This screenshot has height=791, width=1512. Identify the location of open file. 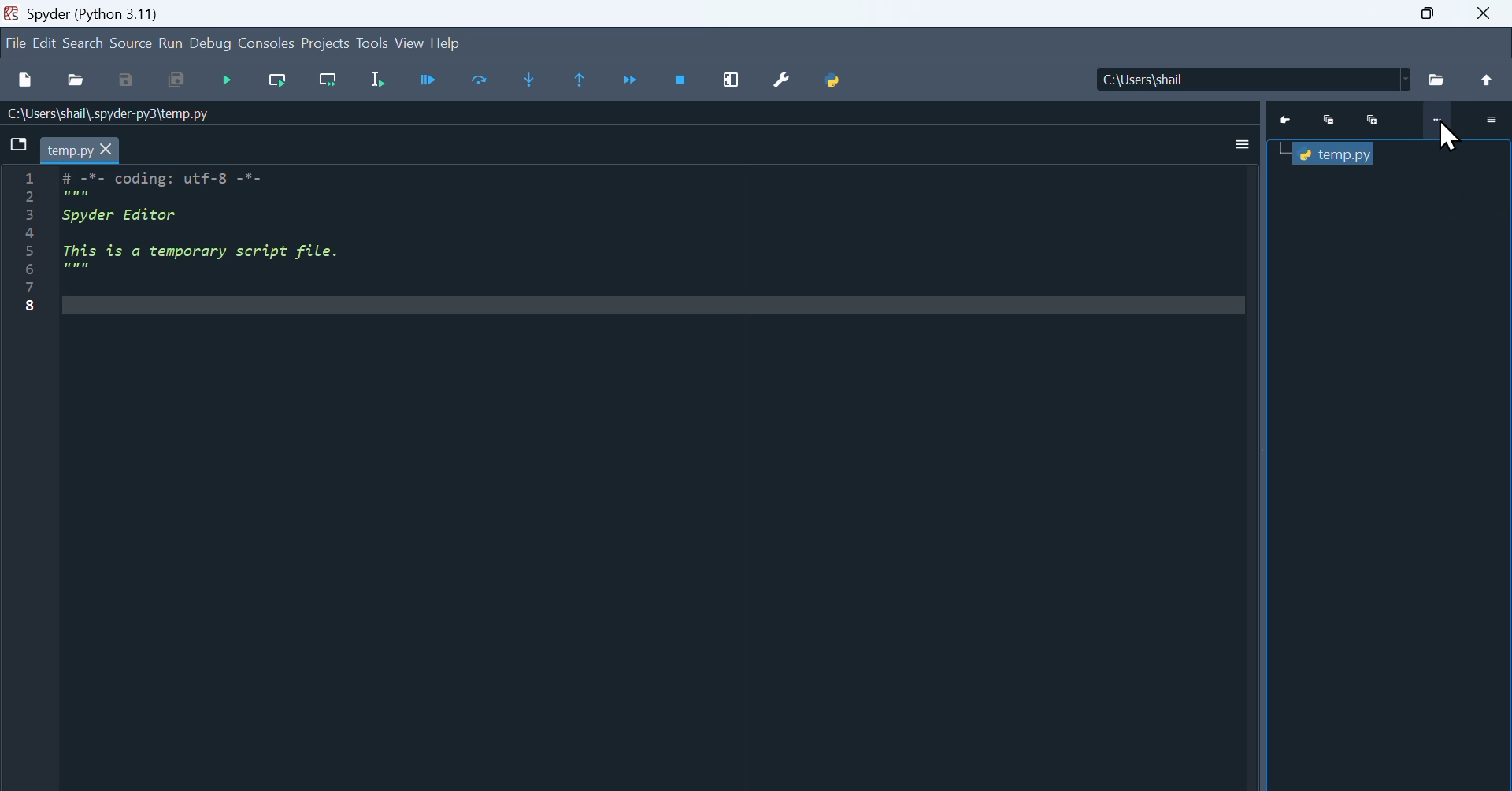
(76, 80).